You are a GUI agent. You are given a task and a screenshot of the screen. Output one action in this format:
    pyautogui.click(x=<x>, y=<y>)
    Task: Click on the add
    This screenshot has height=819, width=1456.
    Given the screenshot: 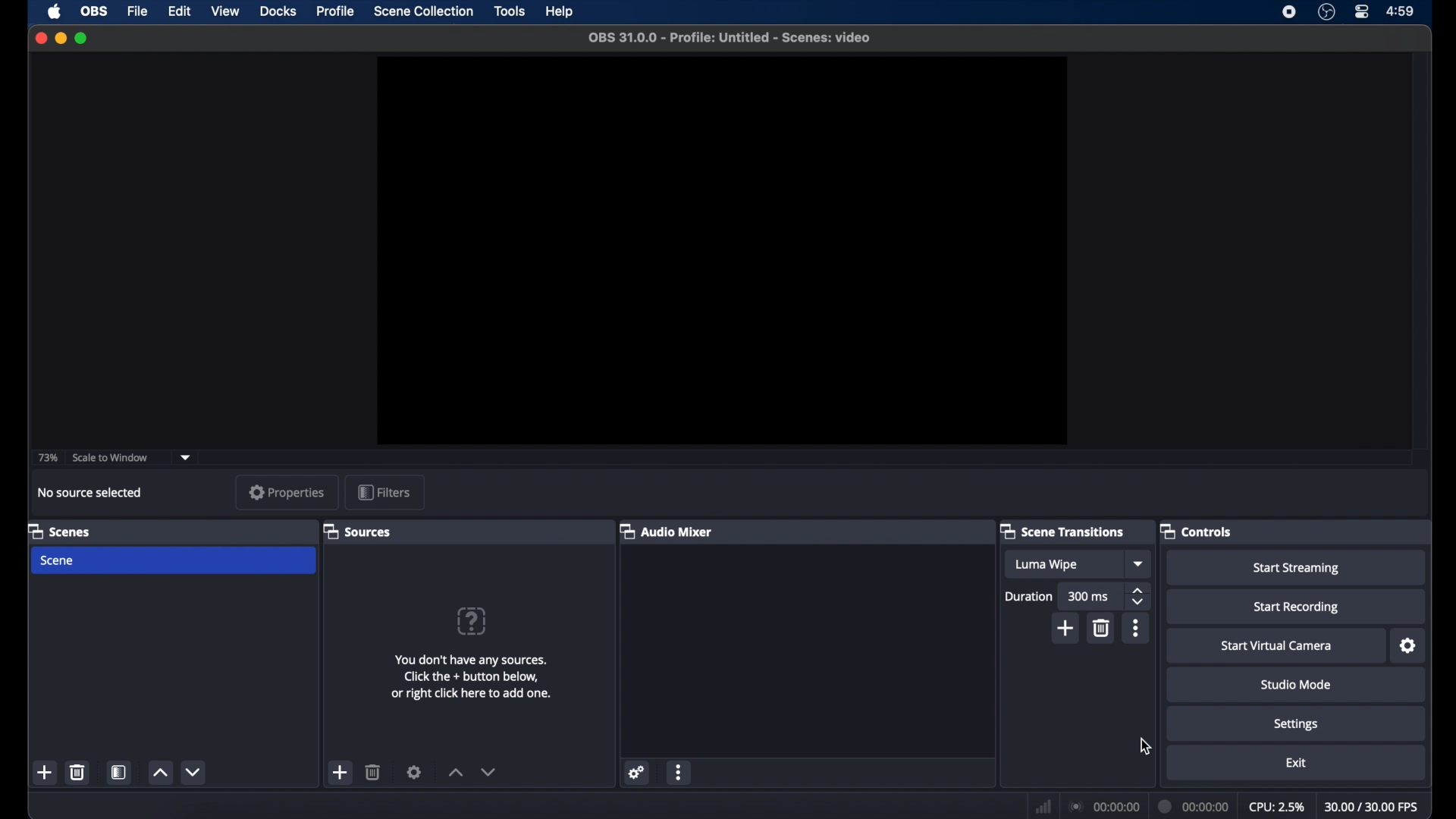 What is the action you would take?
    pyautogui.click(x=340, y=772)
    